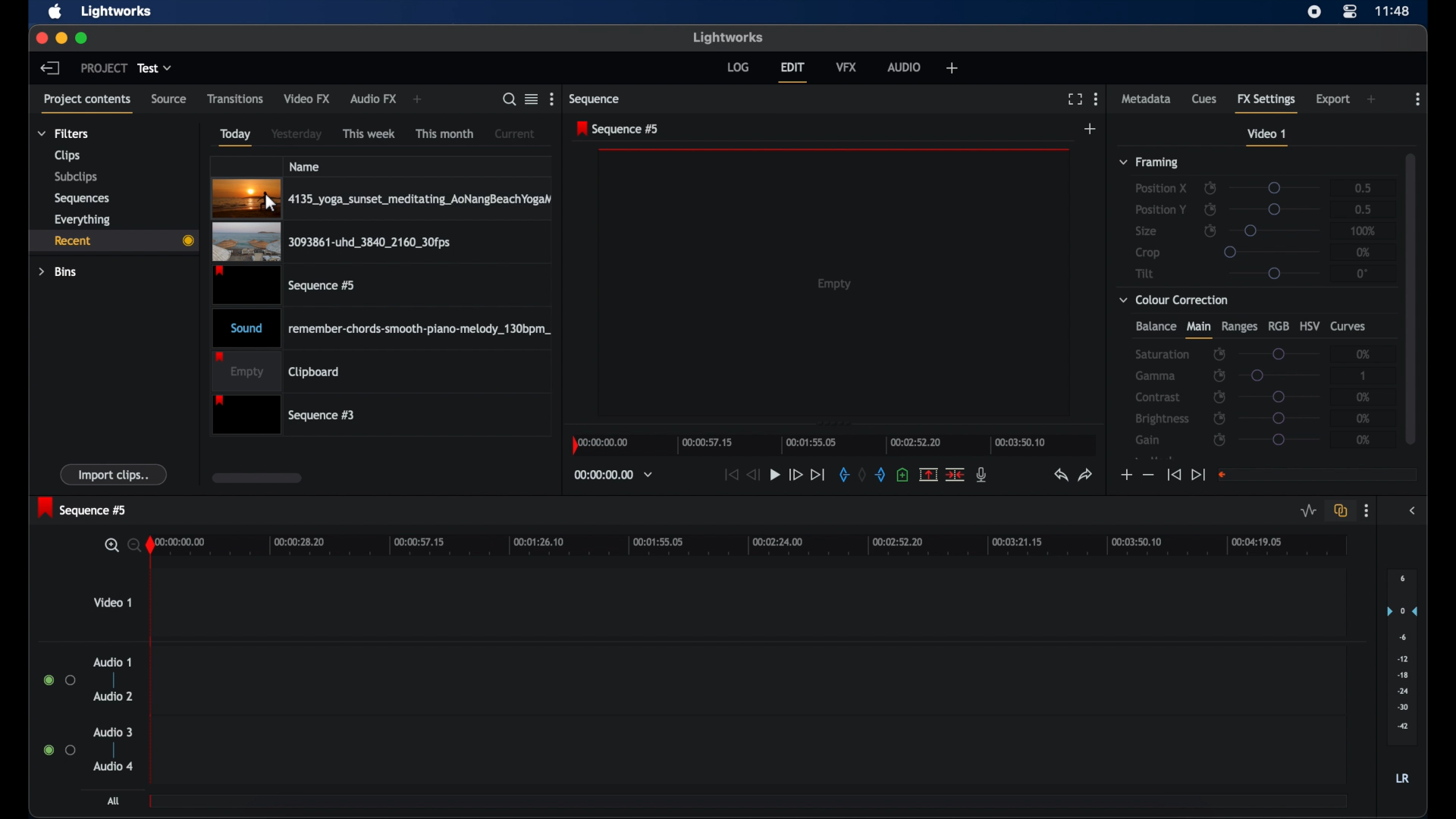 The image size is (1456, 819). What do you see at coordinates (1175, 299) in the screenshot?
I see `color correction` at bounding box center [1175, 299].